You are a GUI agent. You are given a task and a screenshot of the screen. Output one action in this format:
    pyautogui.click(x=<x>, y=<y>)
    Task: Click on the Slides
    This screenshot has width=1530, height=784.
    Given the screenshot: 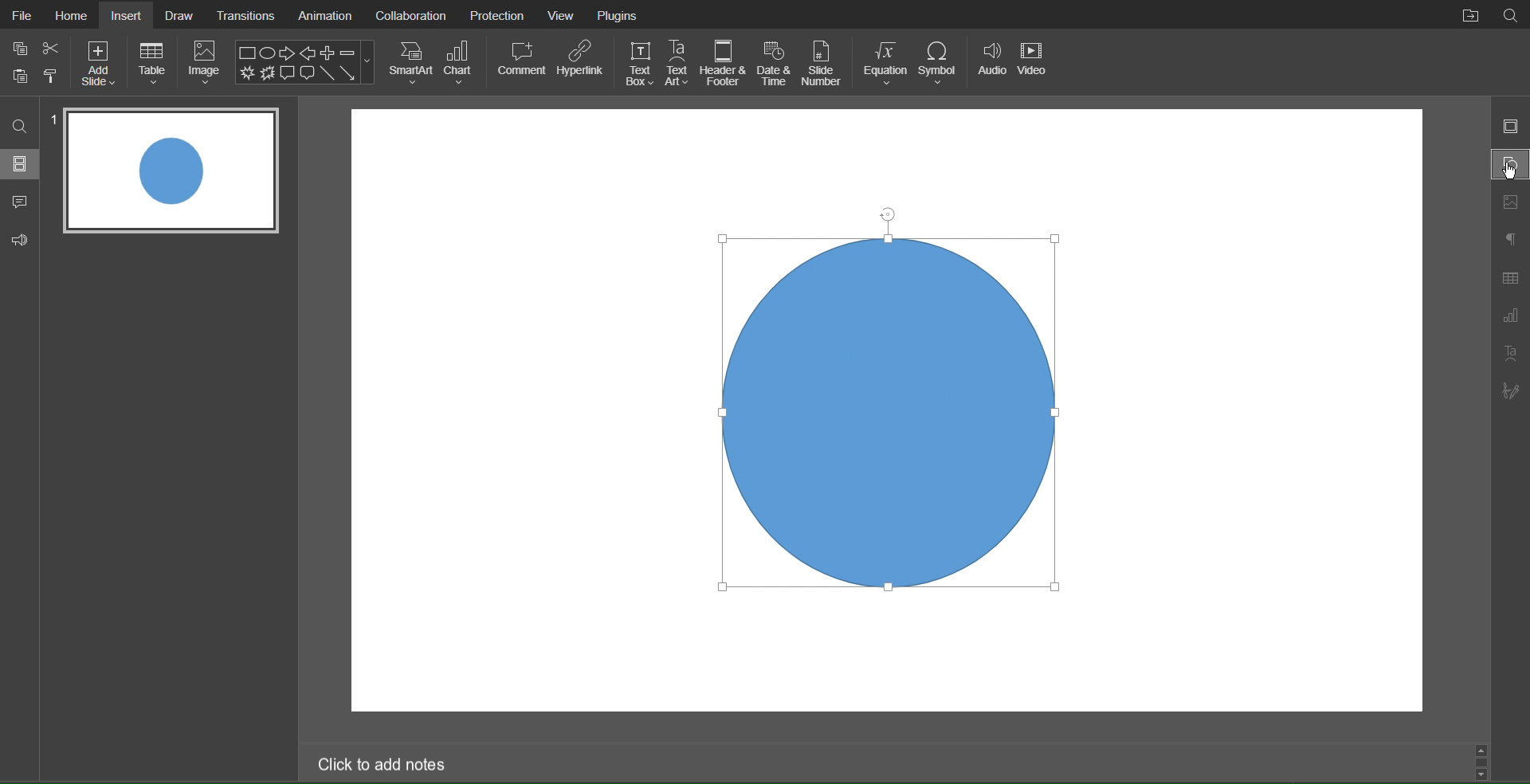 What is the action you would take?
    pyautogui.click(x=19, y=165)
    